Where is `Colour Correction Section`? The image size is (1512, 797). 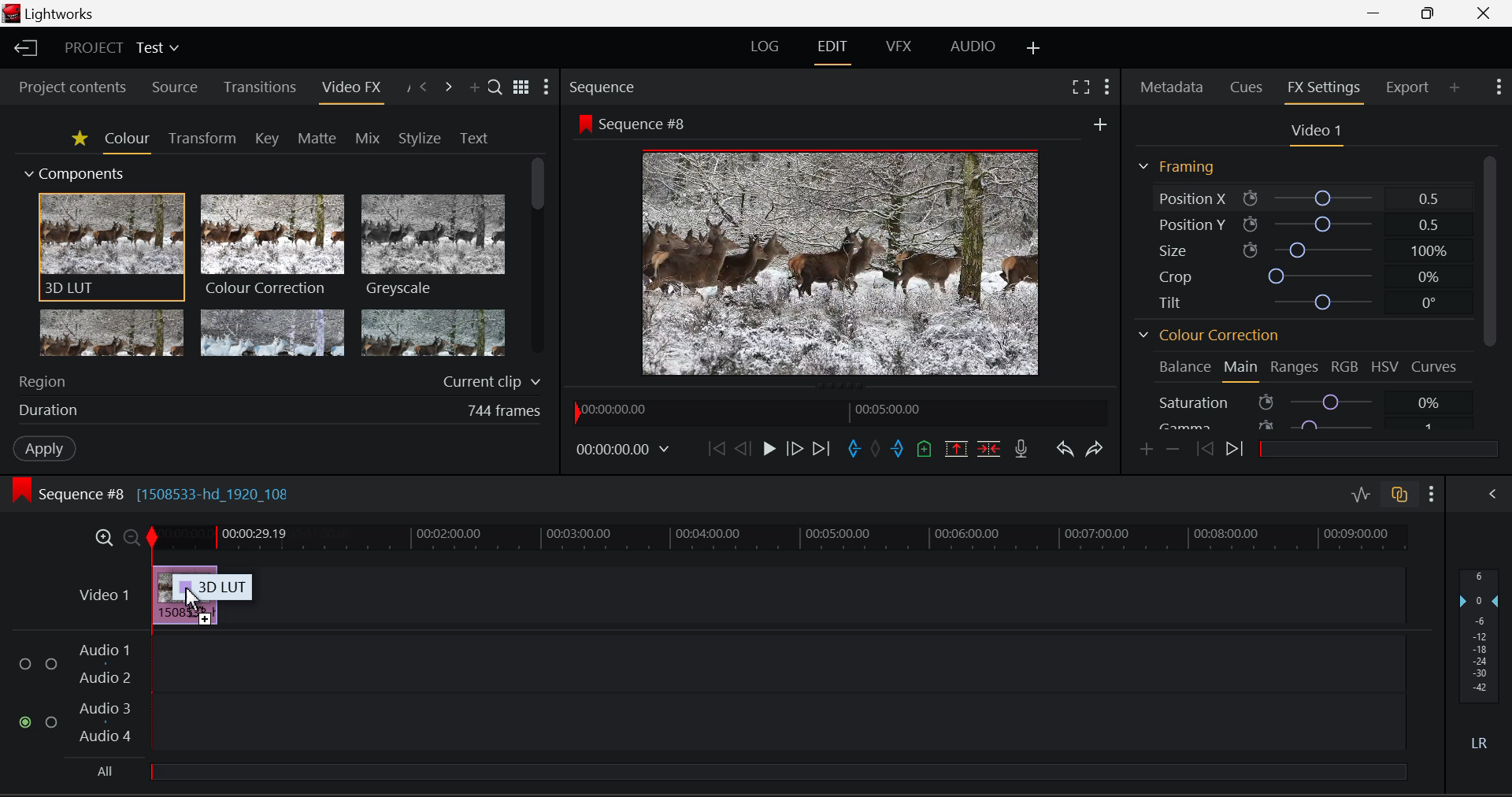
Colour Correction Section is located at coordinates (1208, 335).